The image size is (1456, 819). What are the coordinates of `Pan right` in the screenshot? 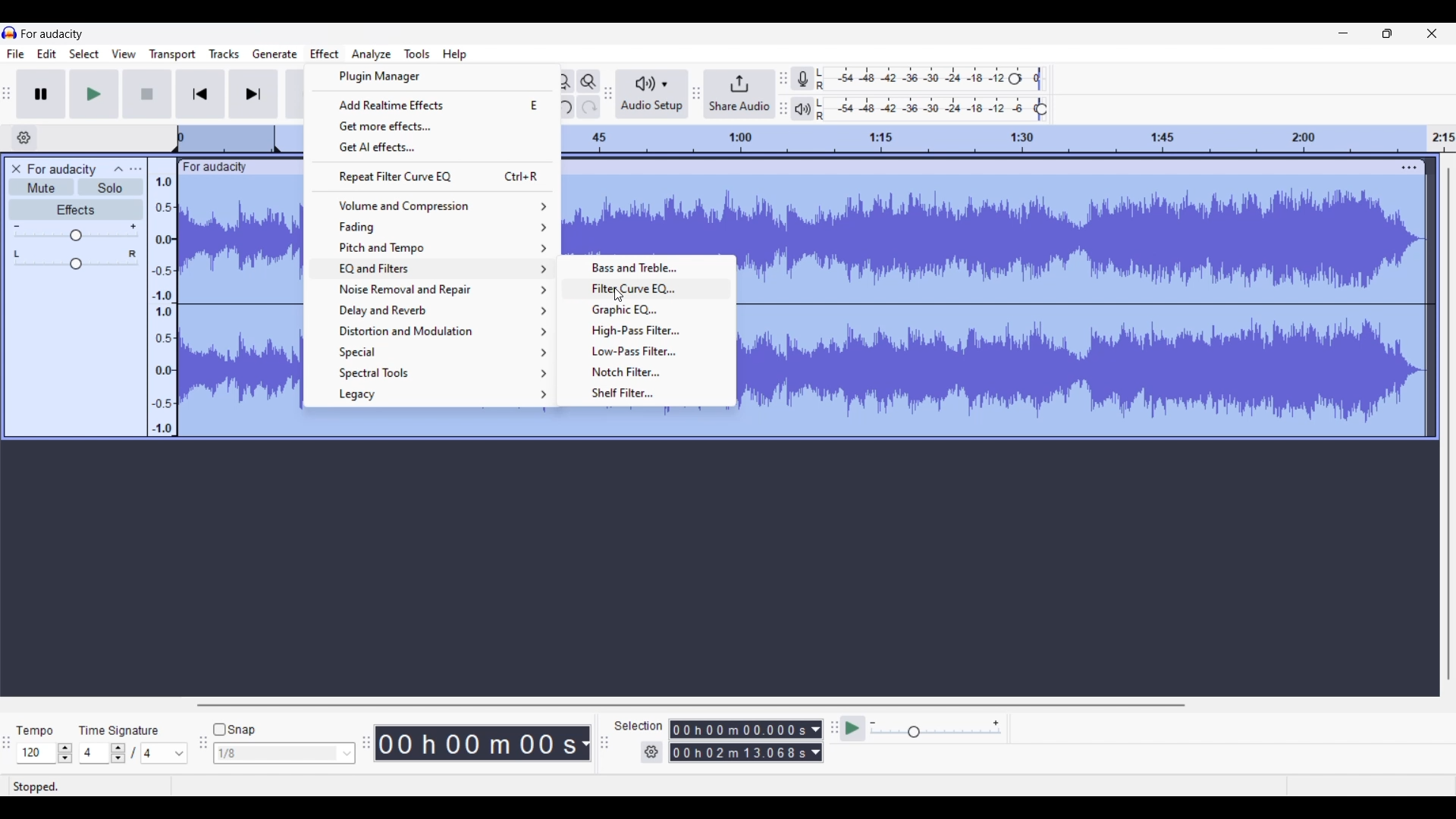 It's located at (133, 254).